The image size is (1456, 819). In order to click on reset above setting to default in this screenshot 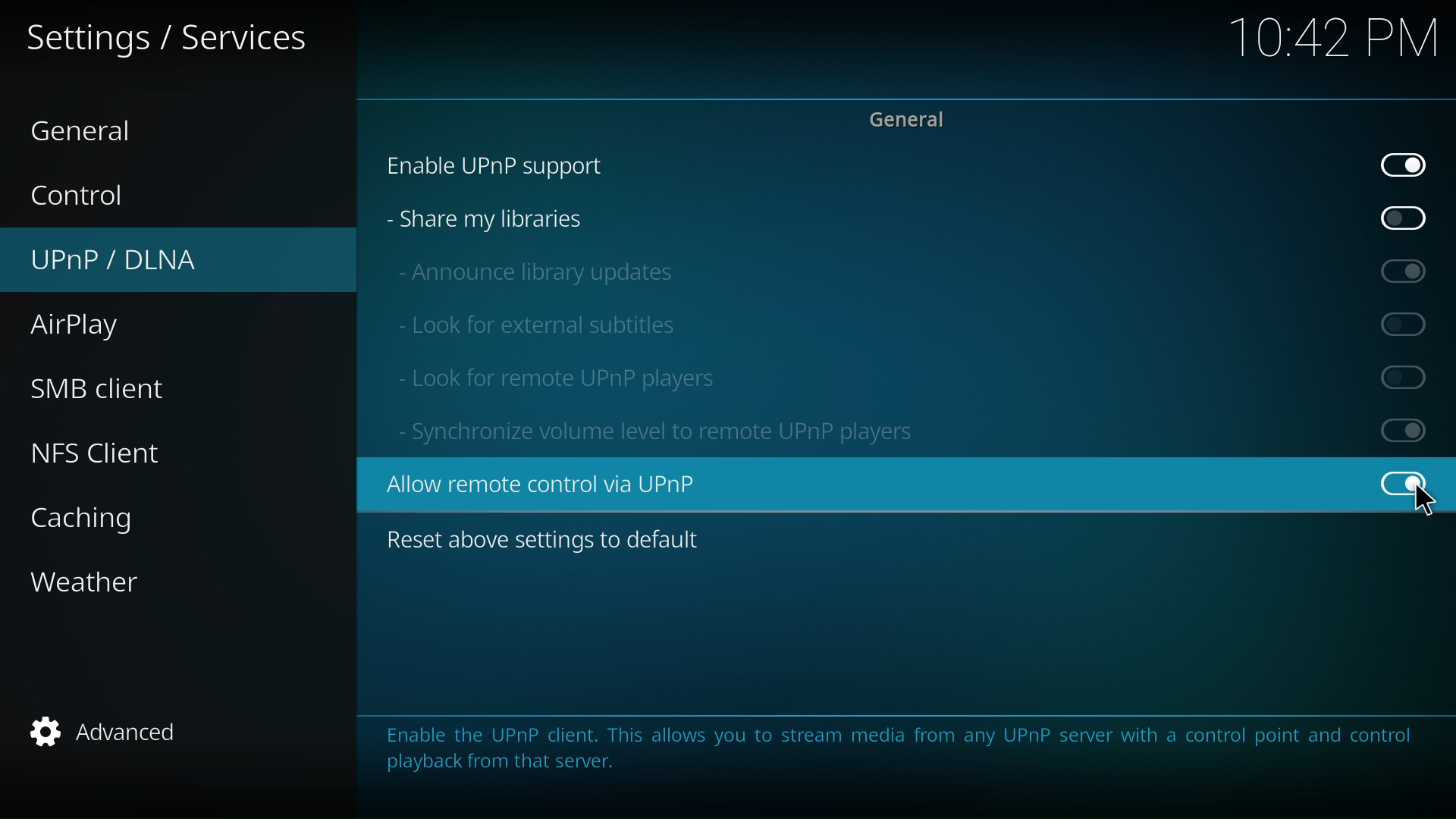, I will do `click(557, 541)`.